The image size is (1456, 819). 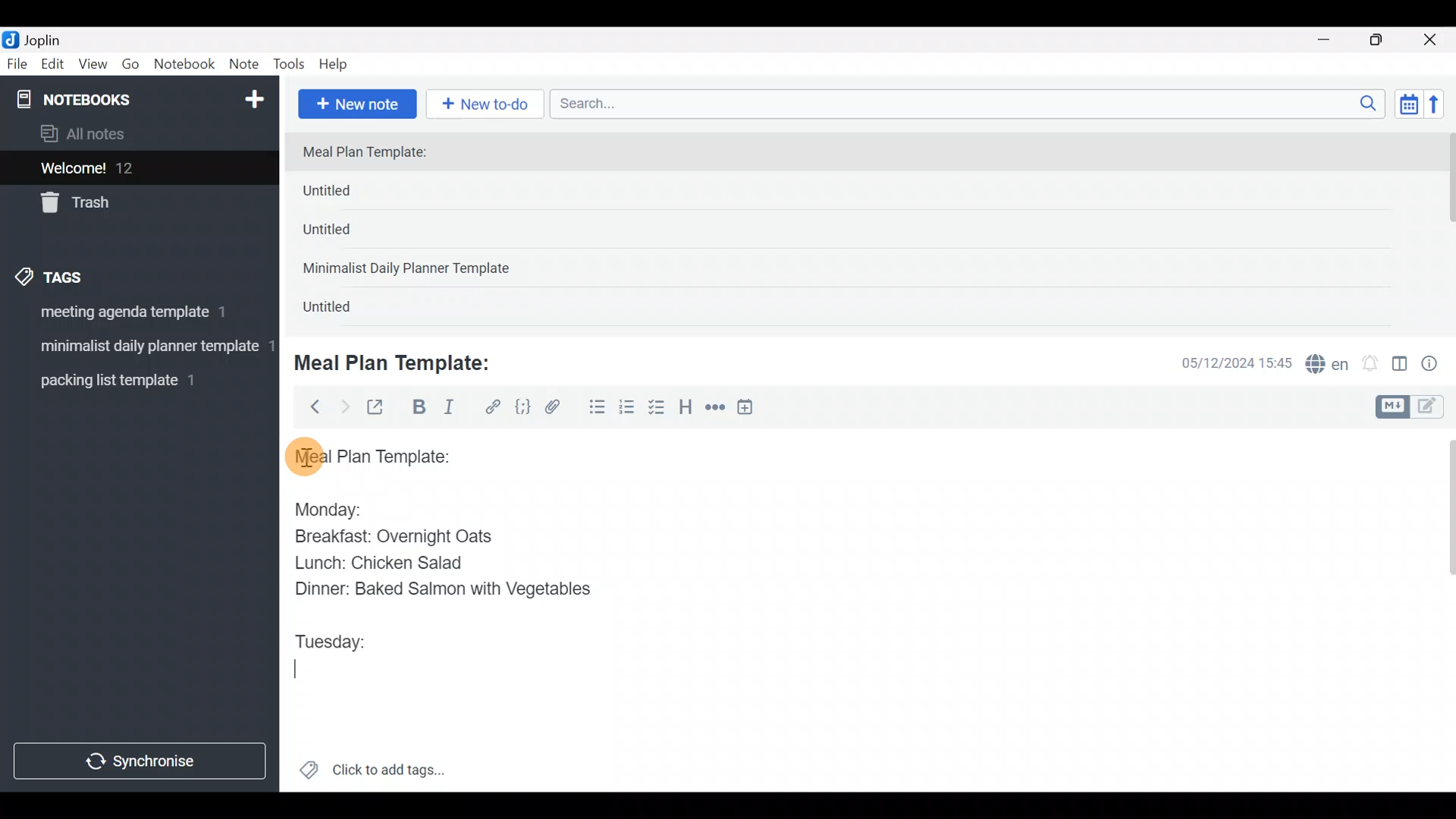 I want to click on Minimalist Daily Planner Template, so click(x=411, y=270).